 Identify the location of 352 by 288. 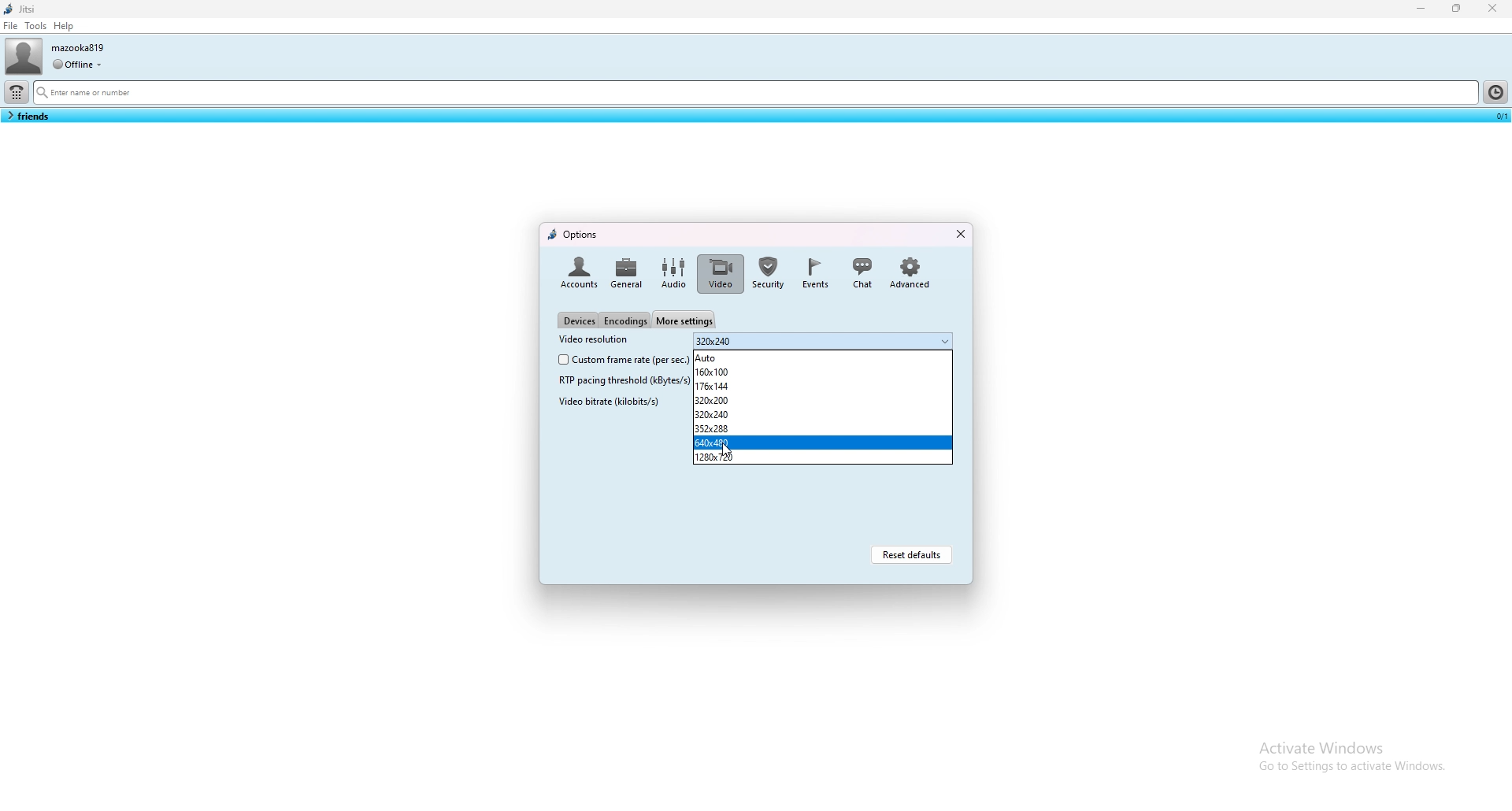
(823, 428).